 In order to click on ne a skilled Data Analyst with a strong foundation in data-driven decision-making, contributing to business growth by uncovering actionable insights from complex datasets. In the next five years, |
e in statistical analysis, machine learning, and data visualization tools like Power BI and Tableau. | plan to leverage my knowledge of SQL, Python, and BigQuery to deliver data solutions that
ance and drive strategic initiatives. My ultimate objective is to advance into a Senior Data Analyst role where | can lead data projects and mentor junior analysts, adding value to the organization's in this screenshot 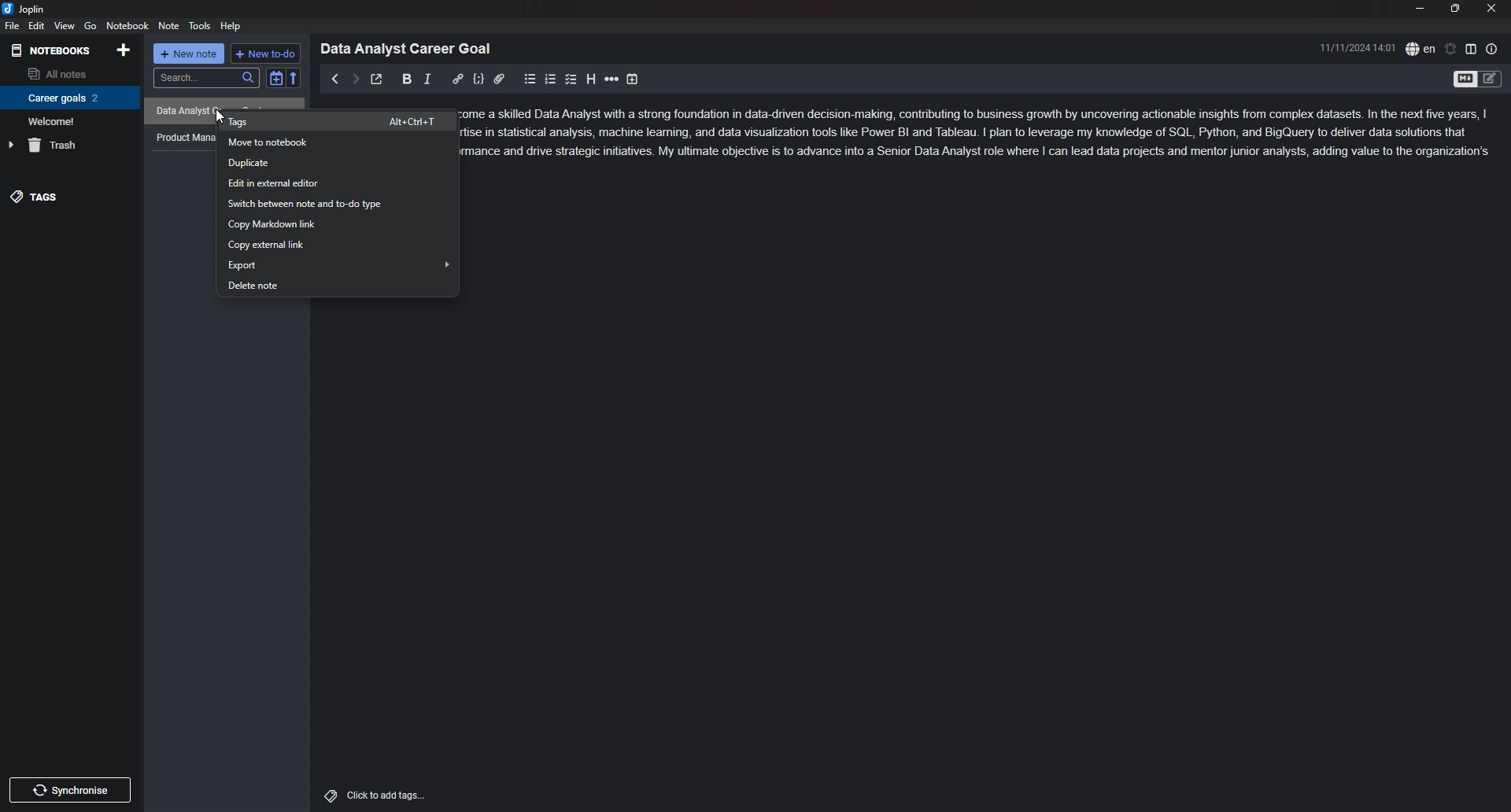, I will do `click(987, 135)`.